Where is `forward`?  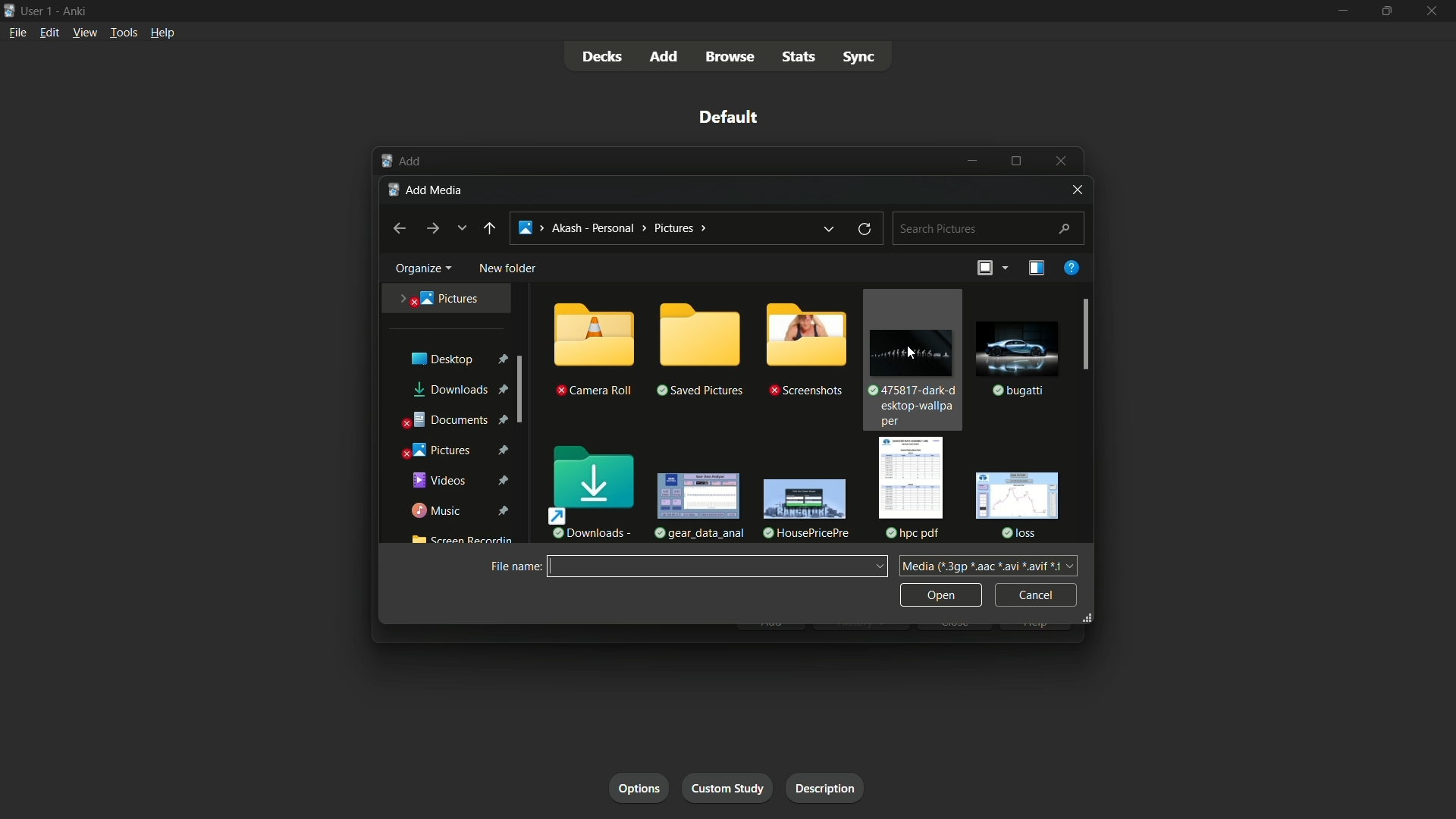 forward is located at coordinates (430, 228).